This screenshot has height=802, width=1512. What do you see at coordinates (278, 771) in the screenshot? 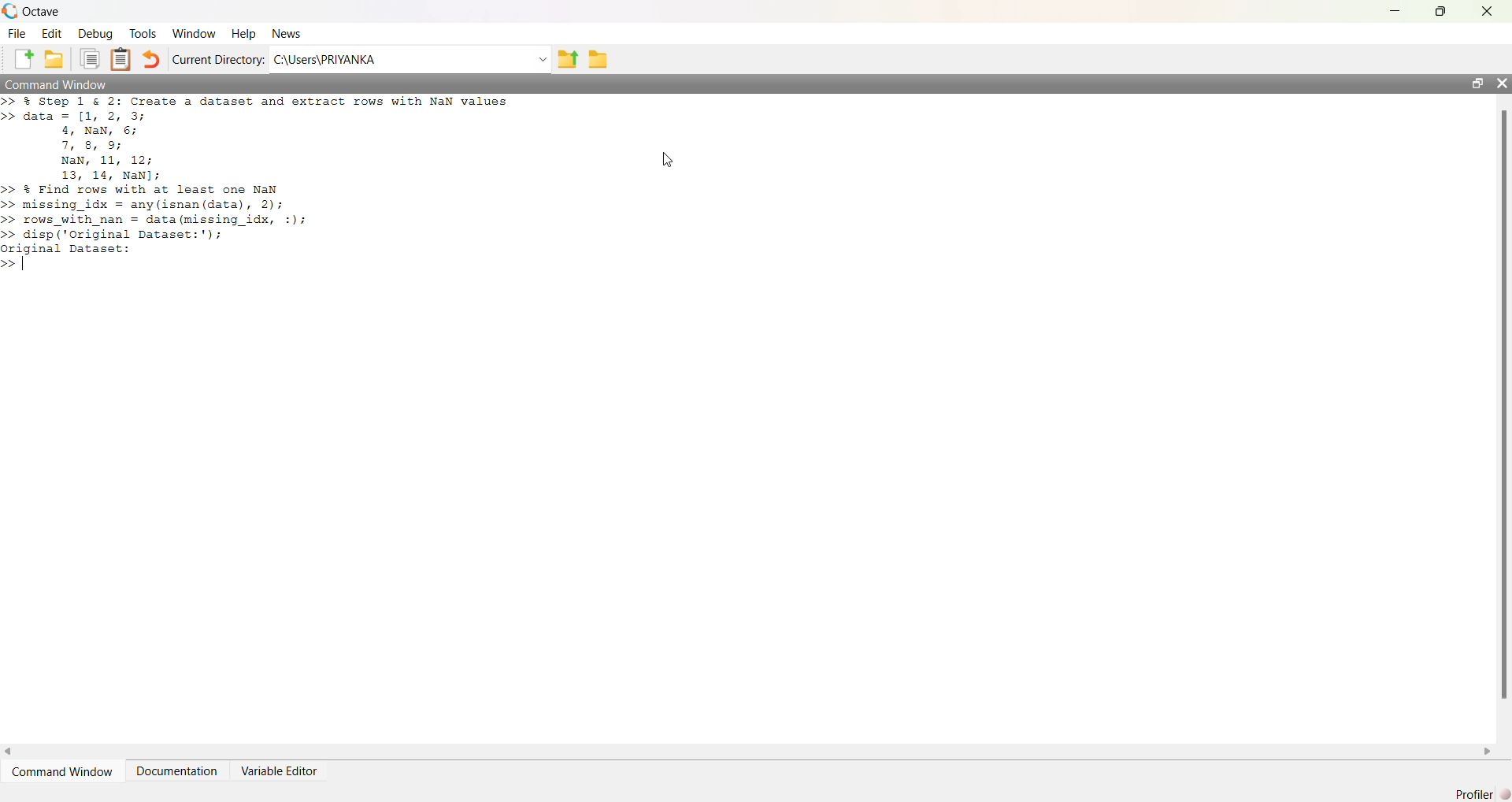
I see `Variable Editor` at bounding box center [278, 771].